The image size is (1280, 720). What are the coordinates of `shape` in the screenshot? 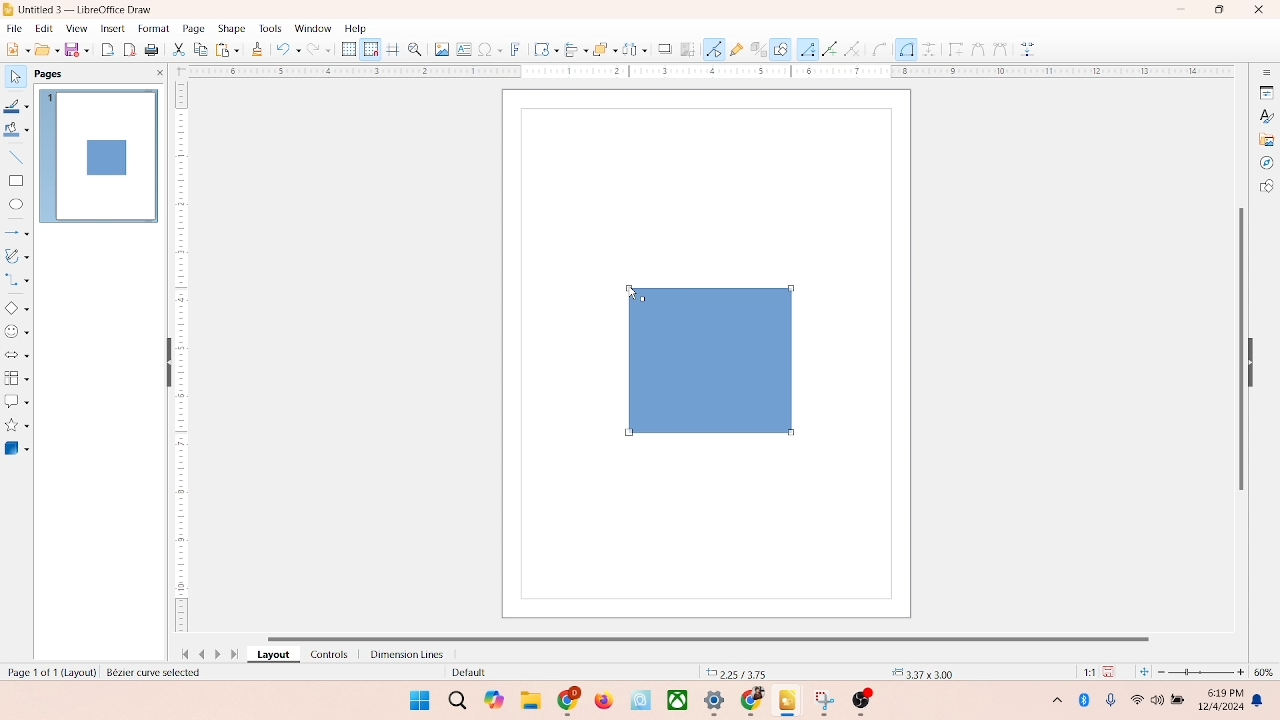 It's located at (231, 28).